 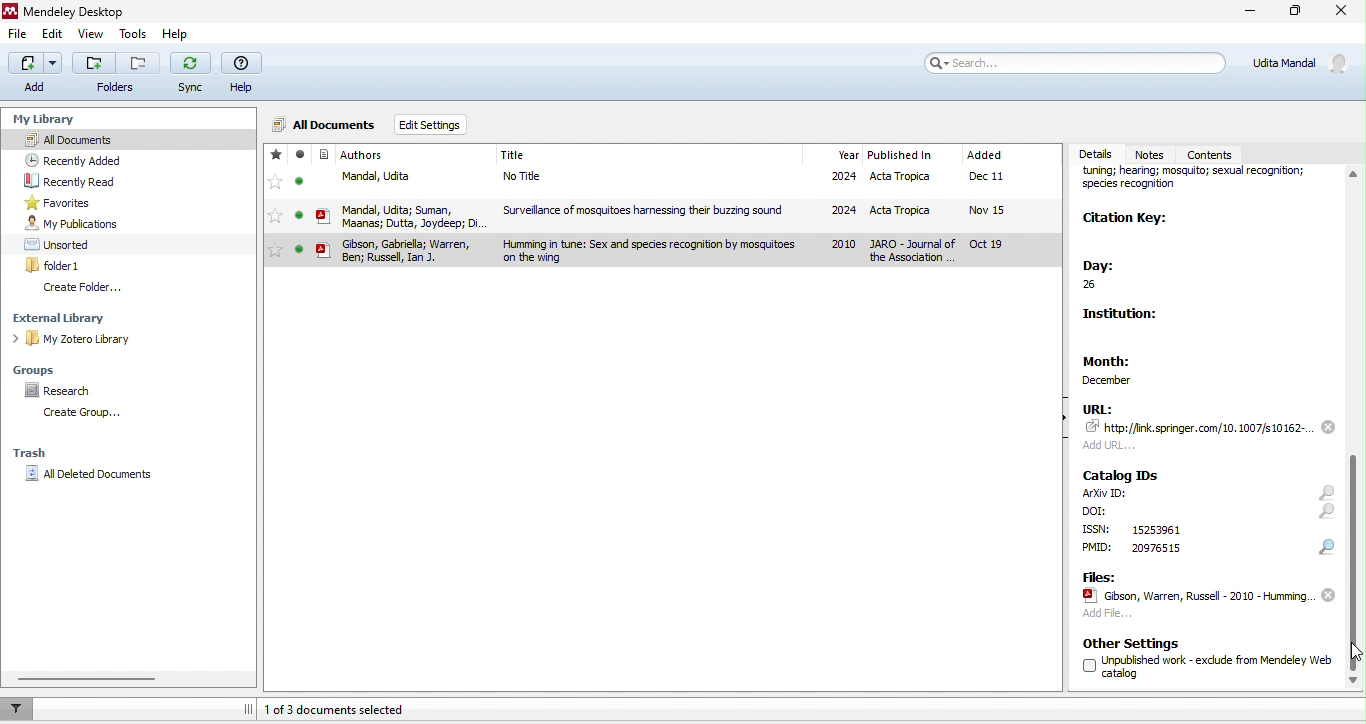 What do you see at coordinates (661, 251) in the screenshot?
I see `selected journal` at bounding box center [661, 251].